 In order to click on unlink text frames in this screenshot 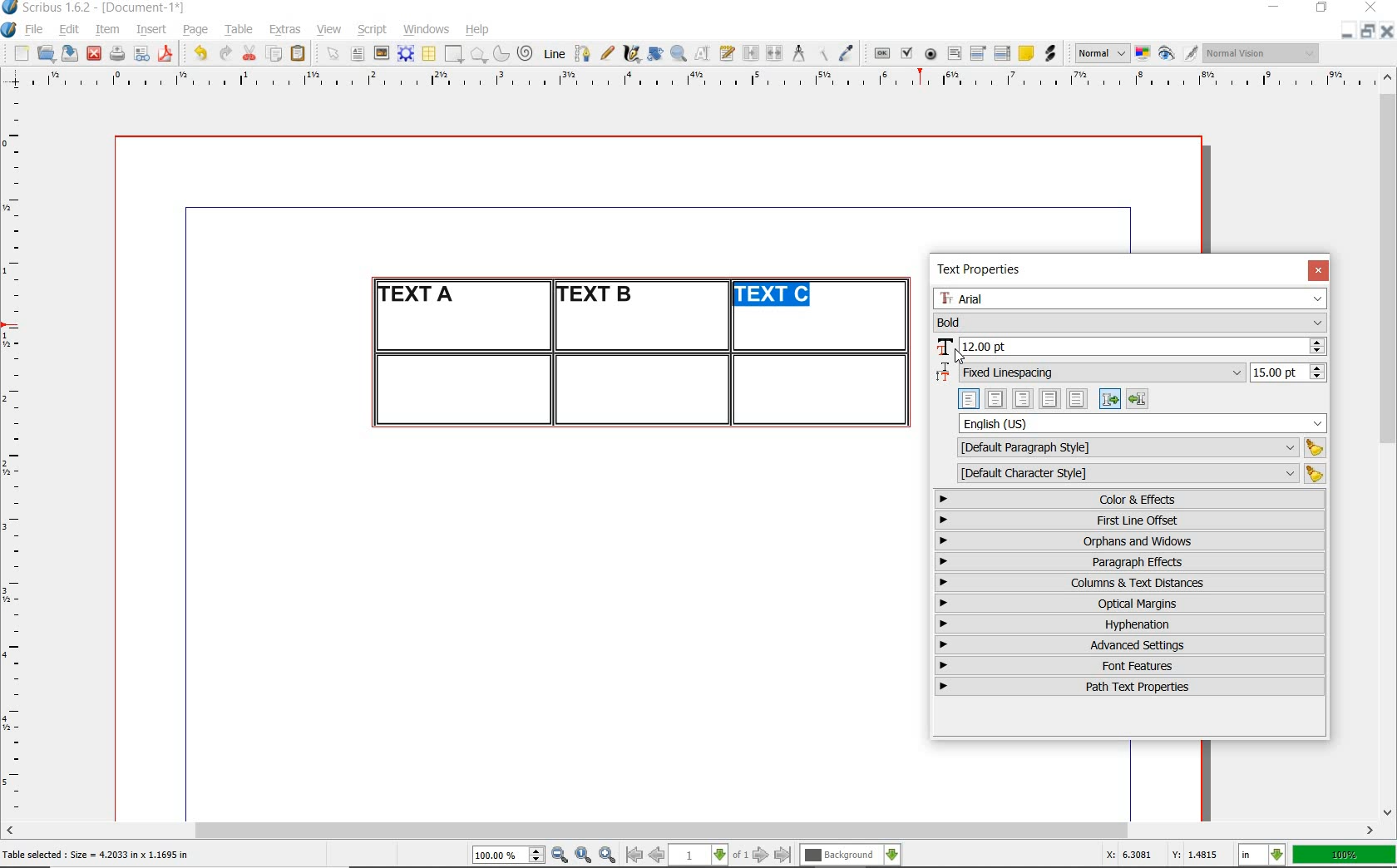, I will do `click(774, 54)`.